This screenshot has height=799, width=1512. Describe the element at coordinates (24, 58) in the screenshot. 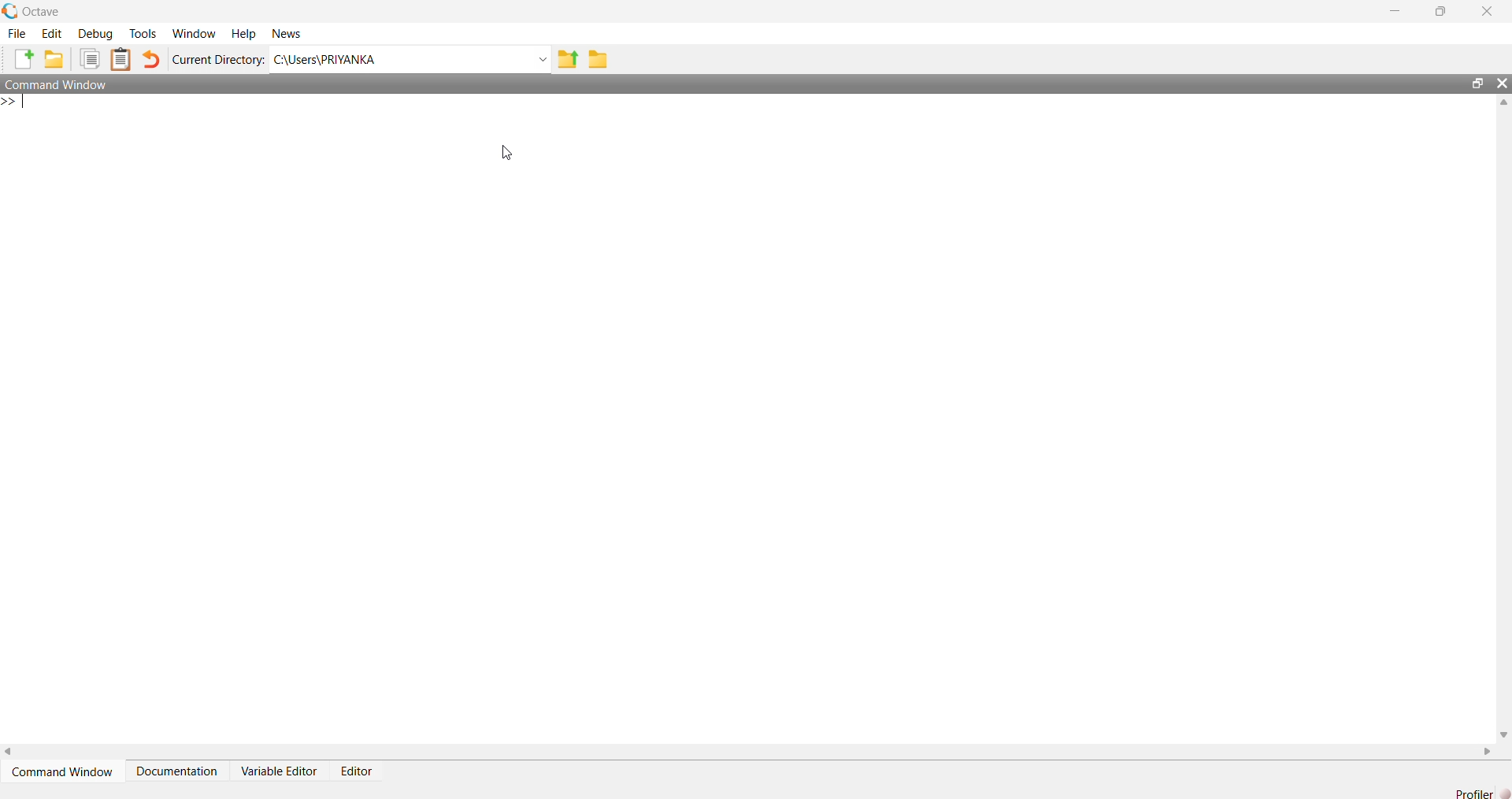

I see `New script` at that location.